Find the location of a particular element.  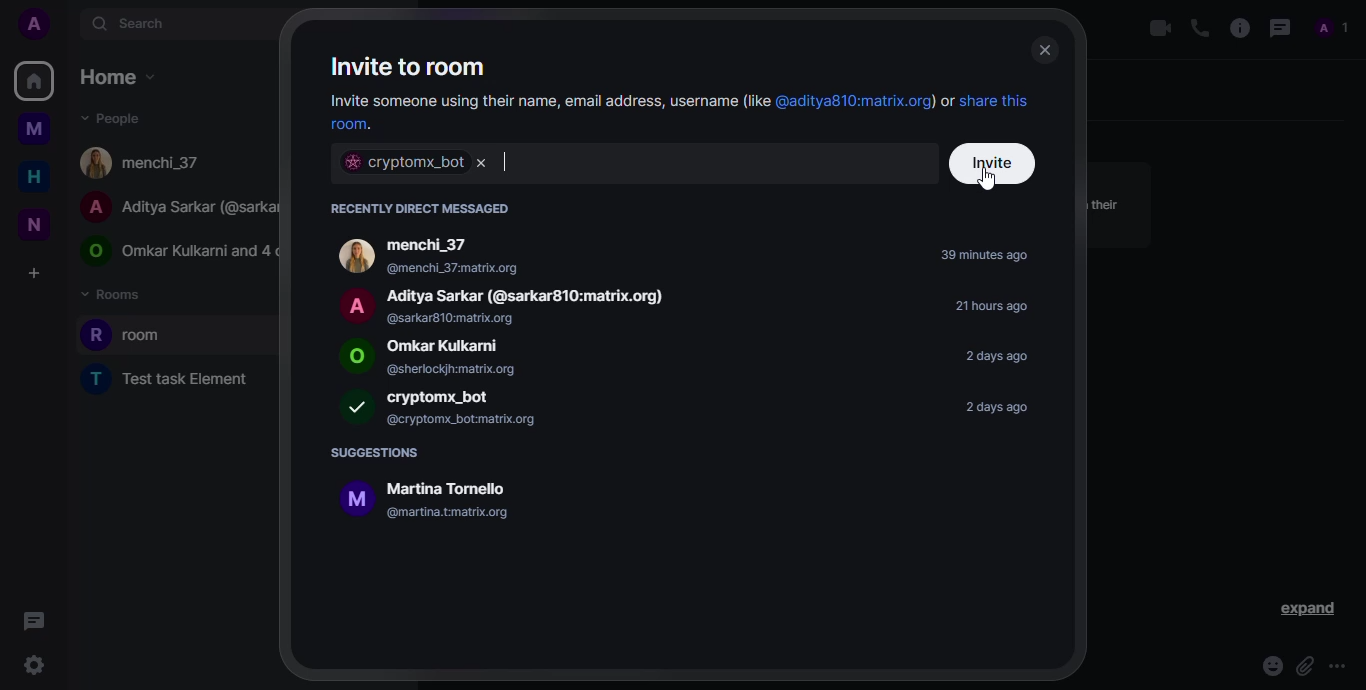

21 hours ago is located at coordinates (993, 307).